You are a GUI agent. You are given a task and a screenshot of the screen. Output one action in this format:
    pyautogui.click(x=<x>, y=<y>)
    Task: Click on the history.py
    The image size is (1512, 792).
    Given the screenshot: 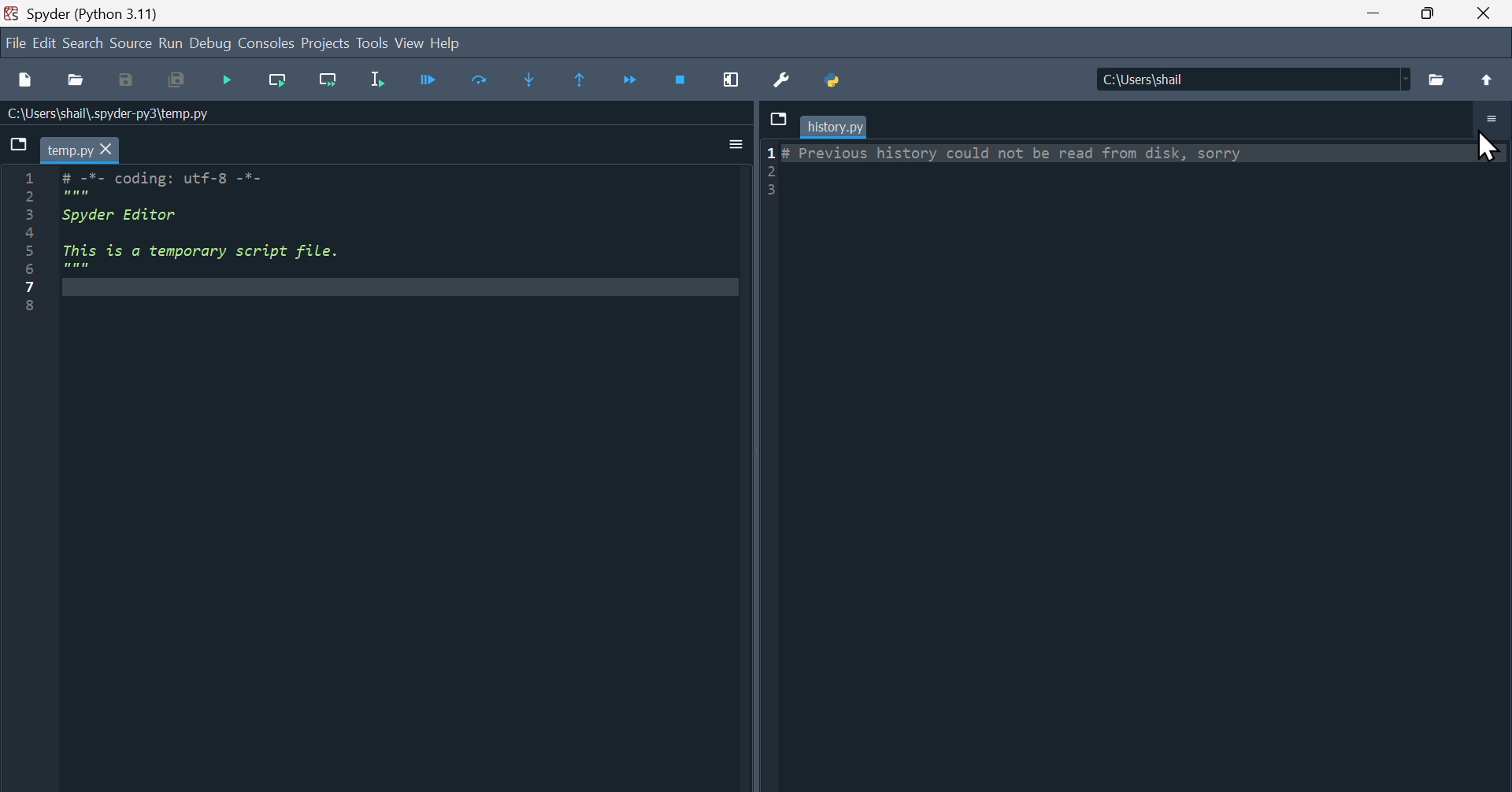 What is the action you would take?
    pyautogui.click(x=835, y=127)
    